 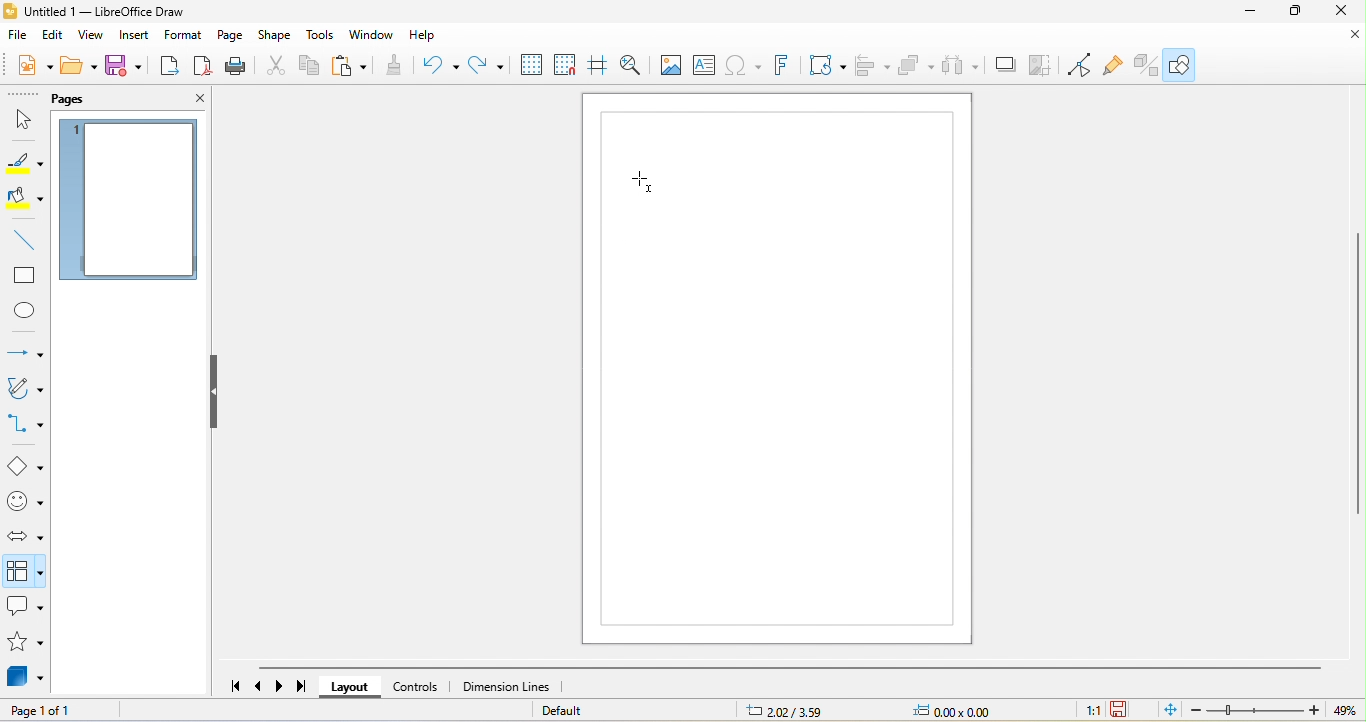 I want to click on export, so click(x=169, y=66).